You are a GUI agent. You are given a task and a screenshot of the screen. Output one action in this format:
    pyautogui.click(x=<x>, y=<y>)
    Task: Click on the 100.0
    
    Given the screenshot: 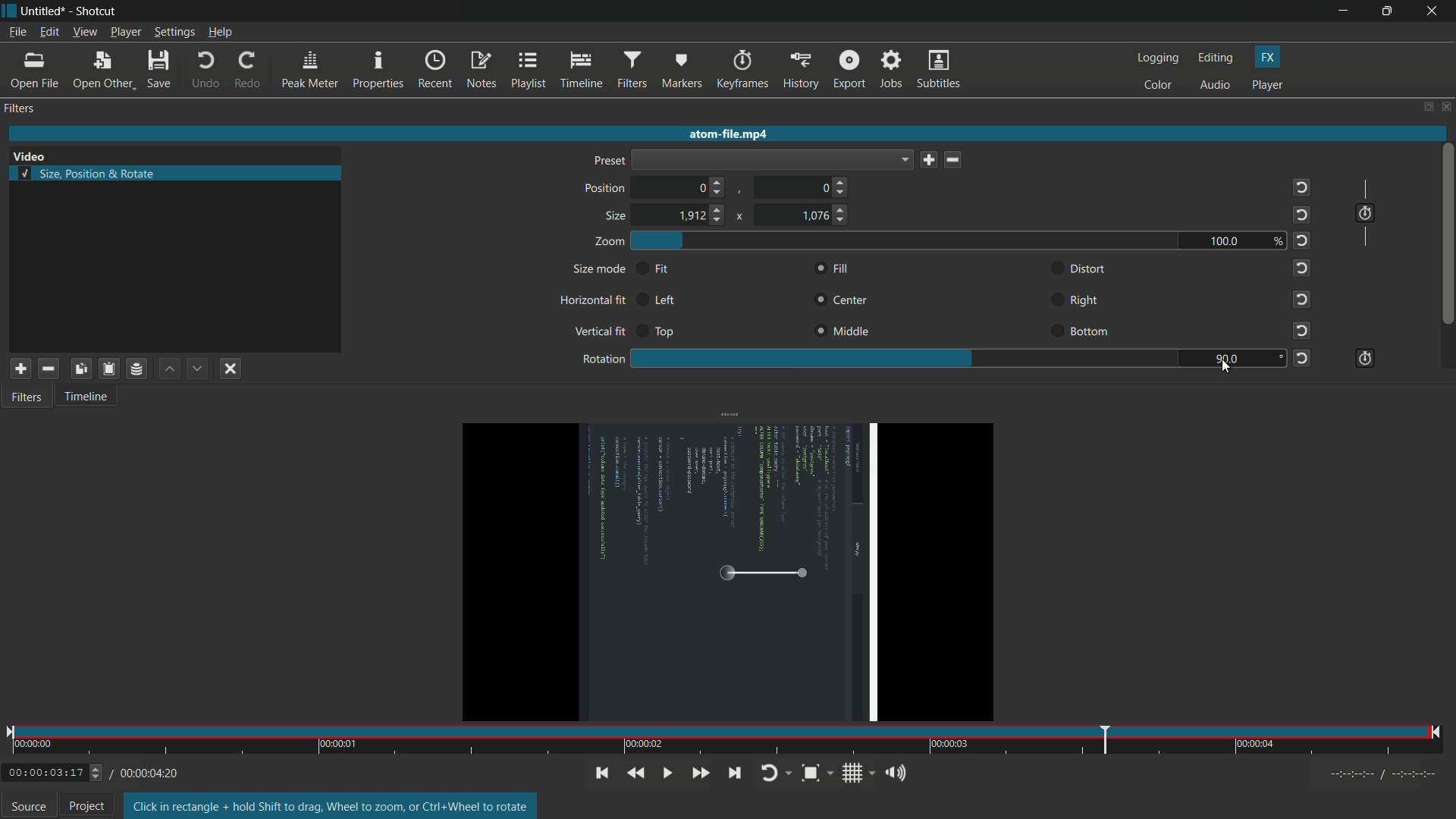 What is the action you would take?
    pyautogui.click(x=1222, y=240)
    